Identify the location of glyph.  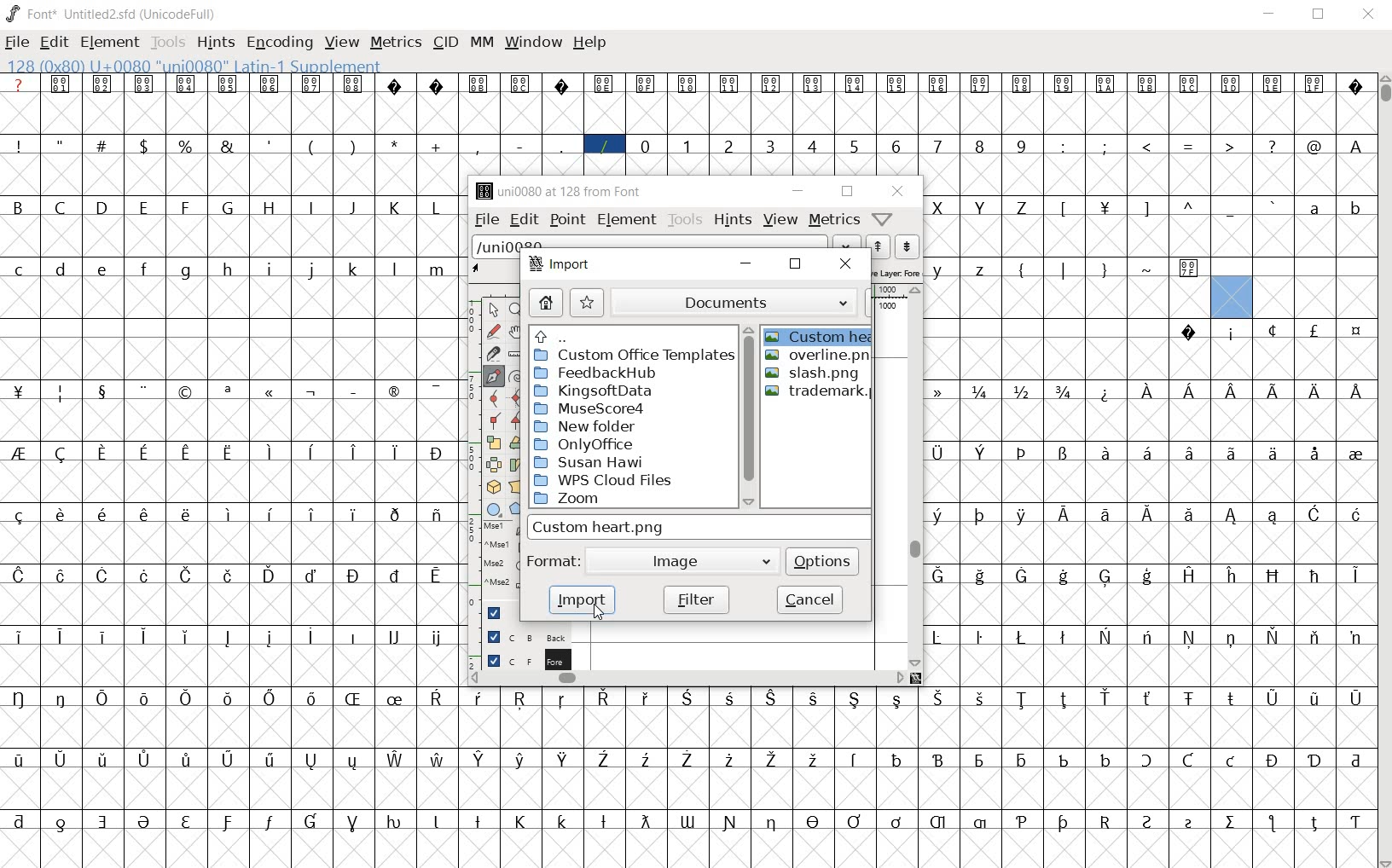
(1272, 146).